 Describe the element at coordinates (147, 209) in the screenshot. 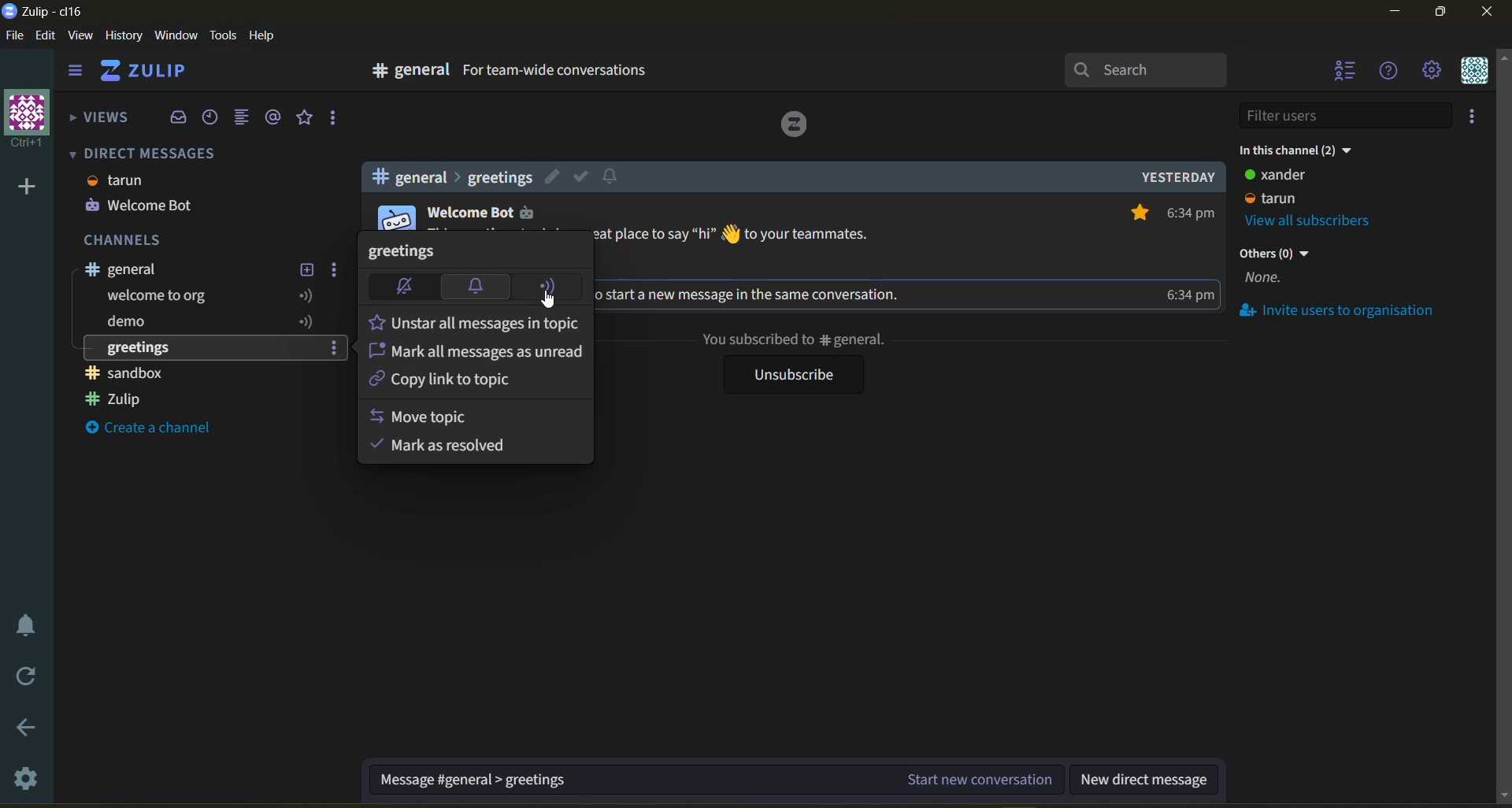

I see `welcome bot` at that location.